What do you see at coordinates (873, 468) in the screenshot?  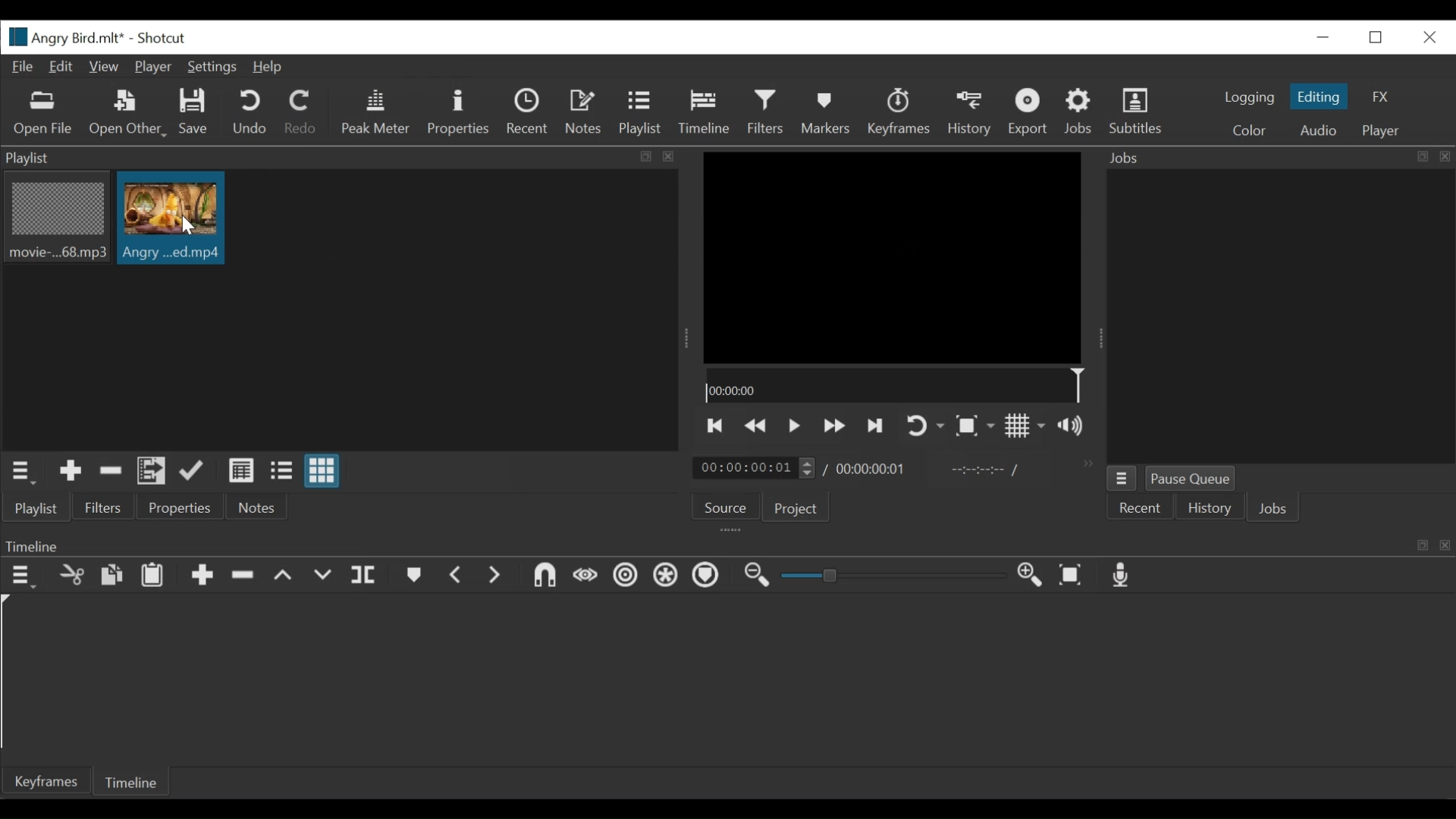 I see `Total Duration` at bounding box center [873, 468].